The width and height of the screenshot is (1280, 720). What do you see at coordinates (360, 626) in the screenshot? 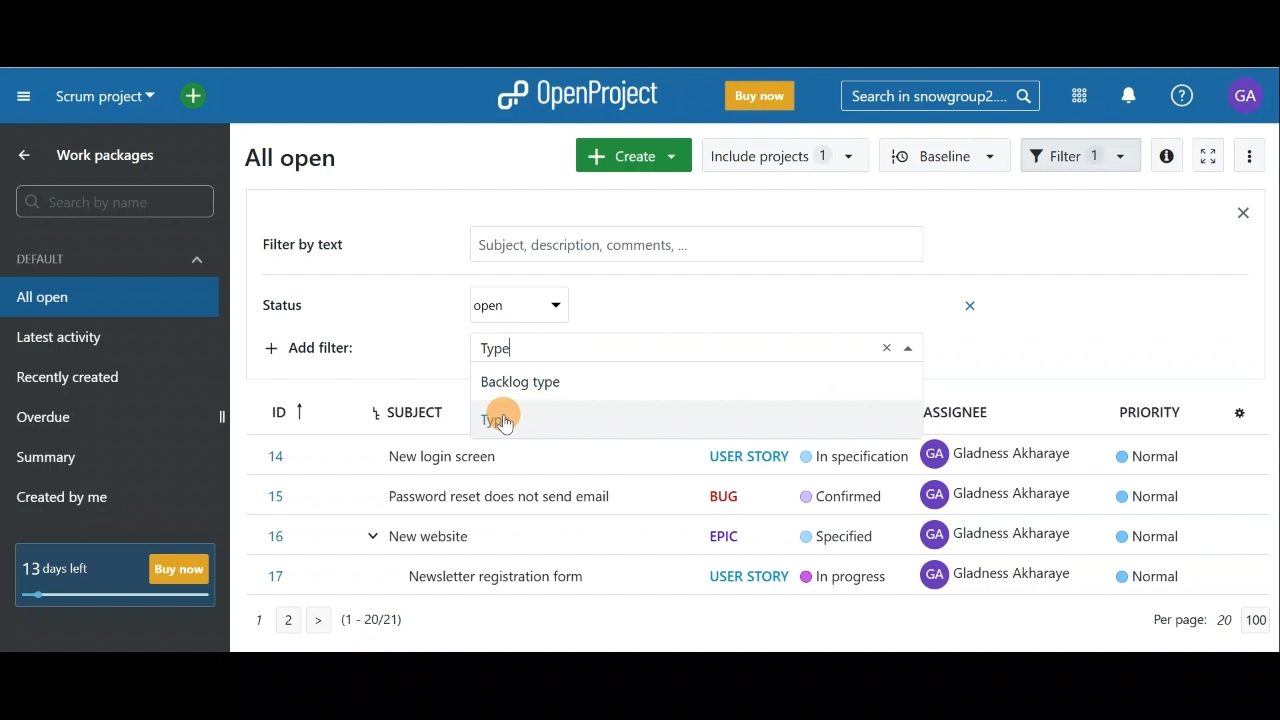
I see `Page number` at bounding box center [360, 626].